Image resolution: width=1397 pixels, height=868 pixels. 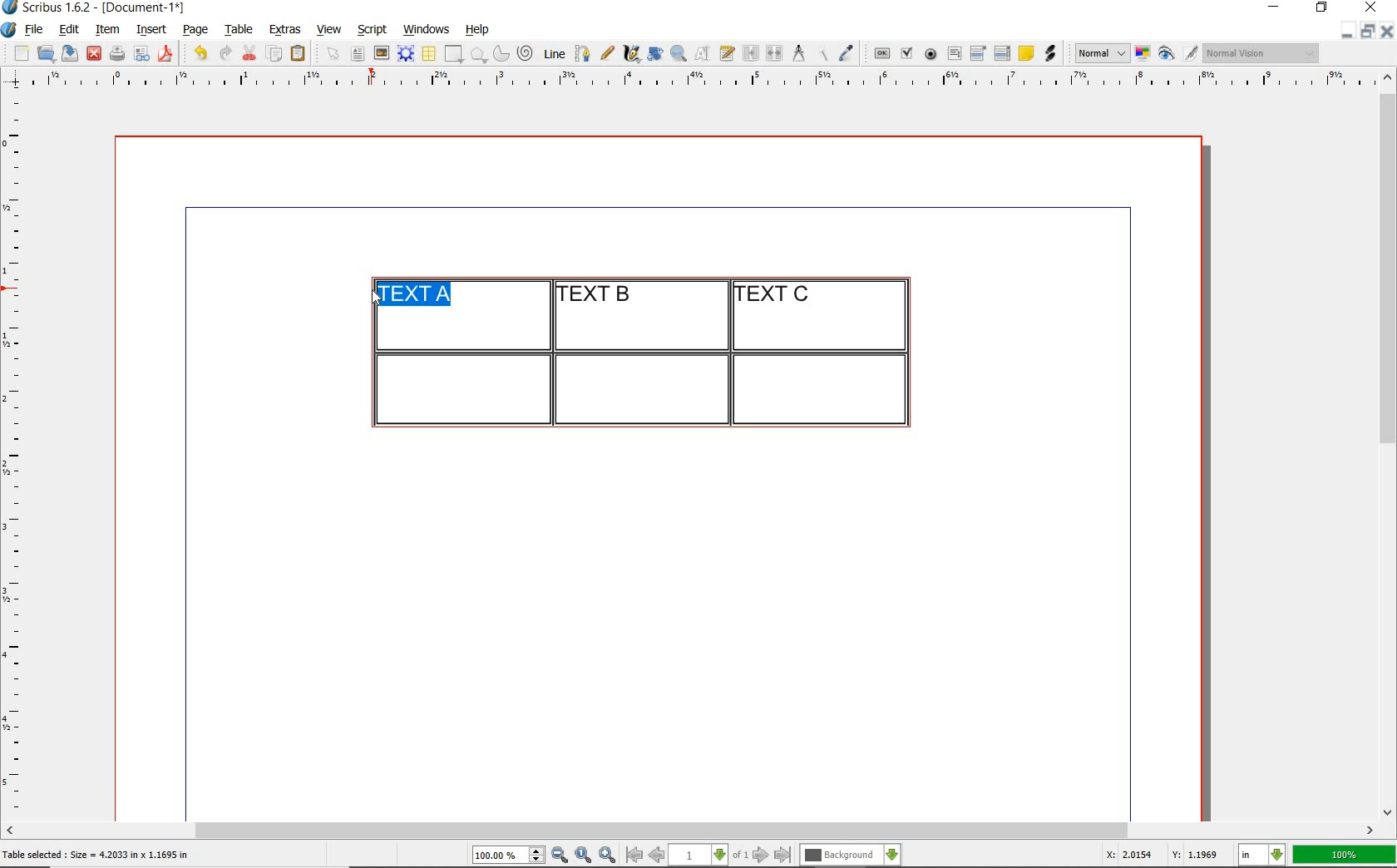 I want to click on close, so click(x=94, y=54).